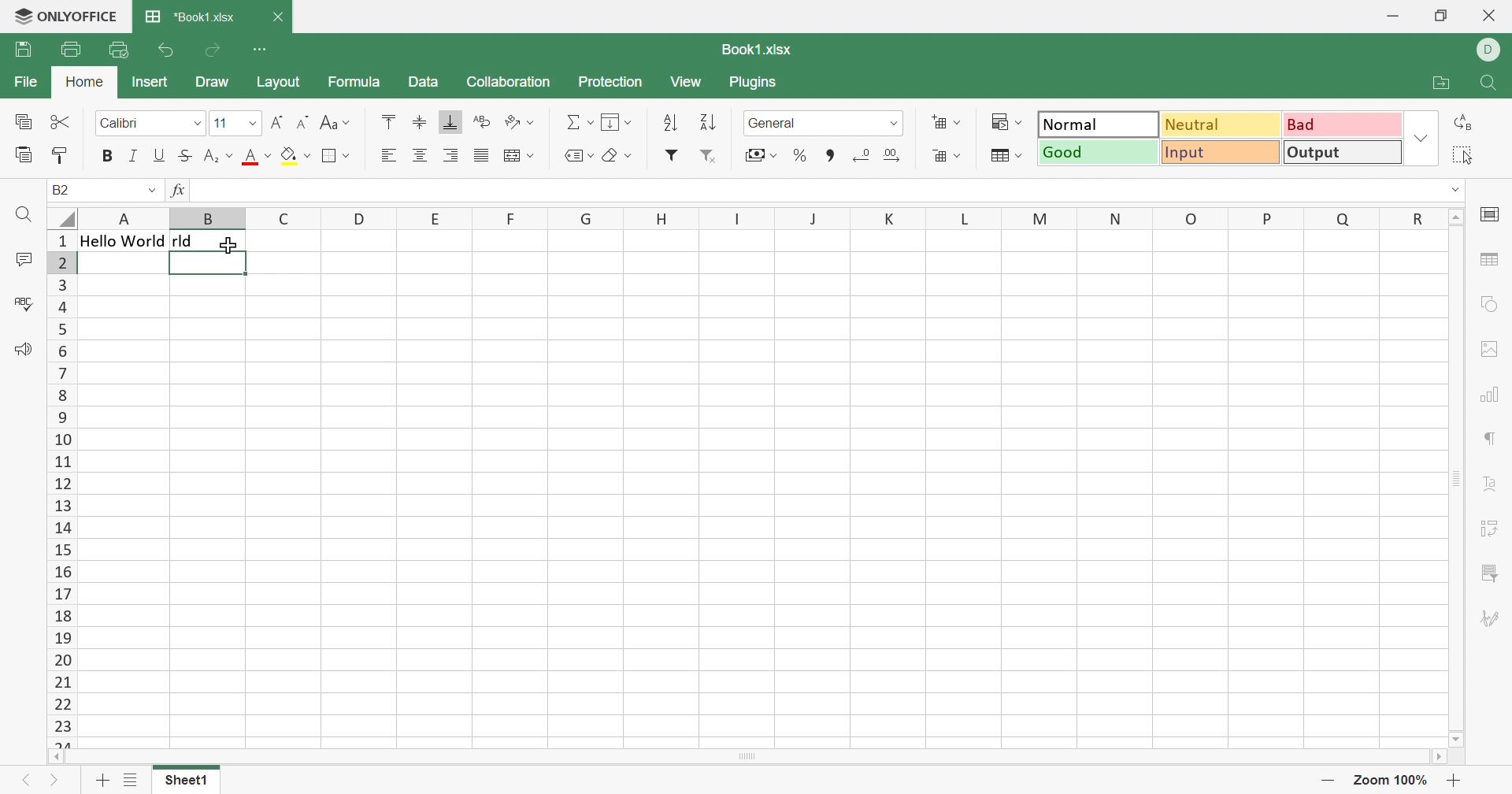 This screenshot has height=794, width=1512. What do you see at coordinates (1492, 49) in the screenshot?
I see `ELL` at bounding box center [1492, 49].